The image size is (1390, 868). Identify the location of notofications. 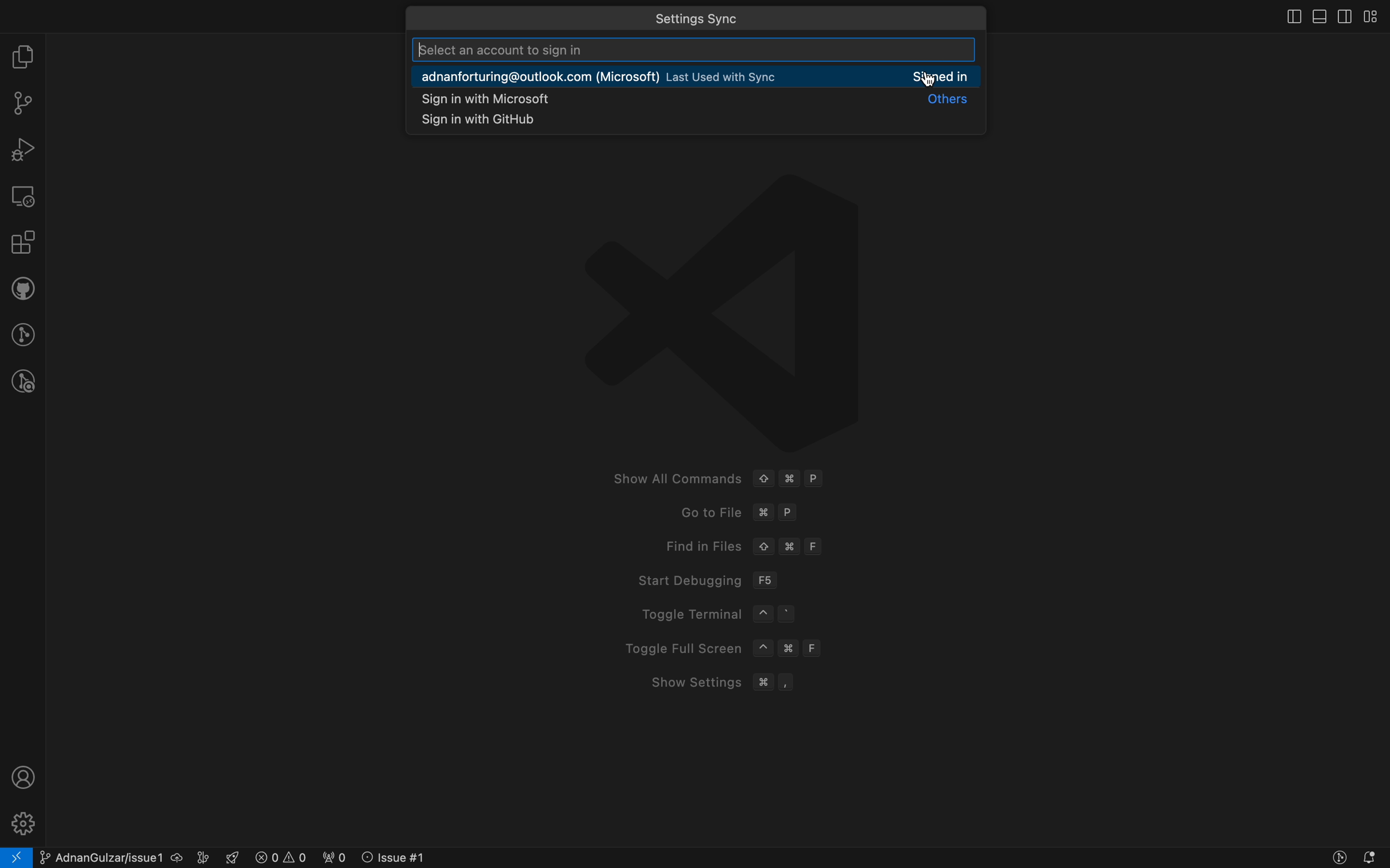
(1372, 858).